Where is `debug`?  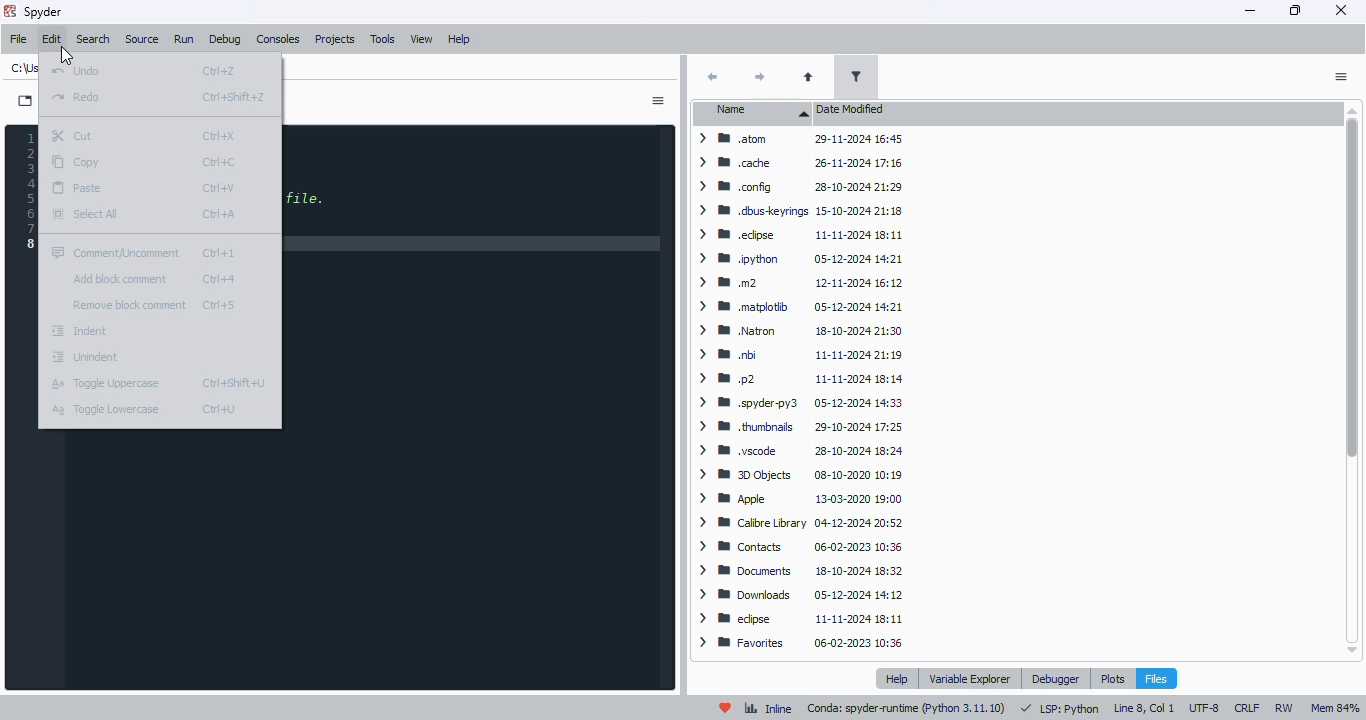 debug is located at coordinates (225, 40).